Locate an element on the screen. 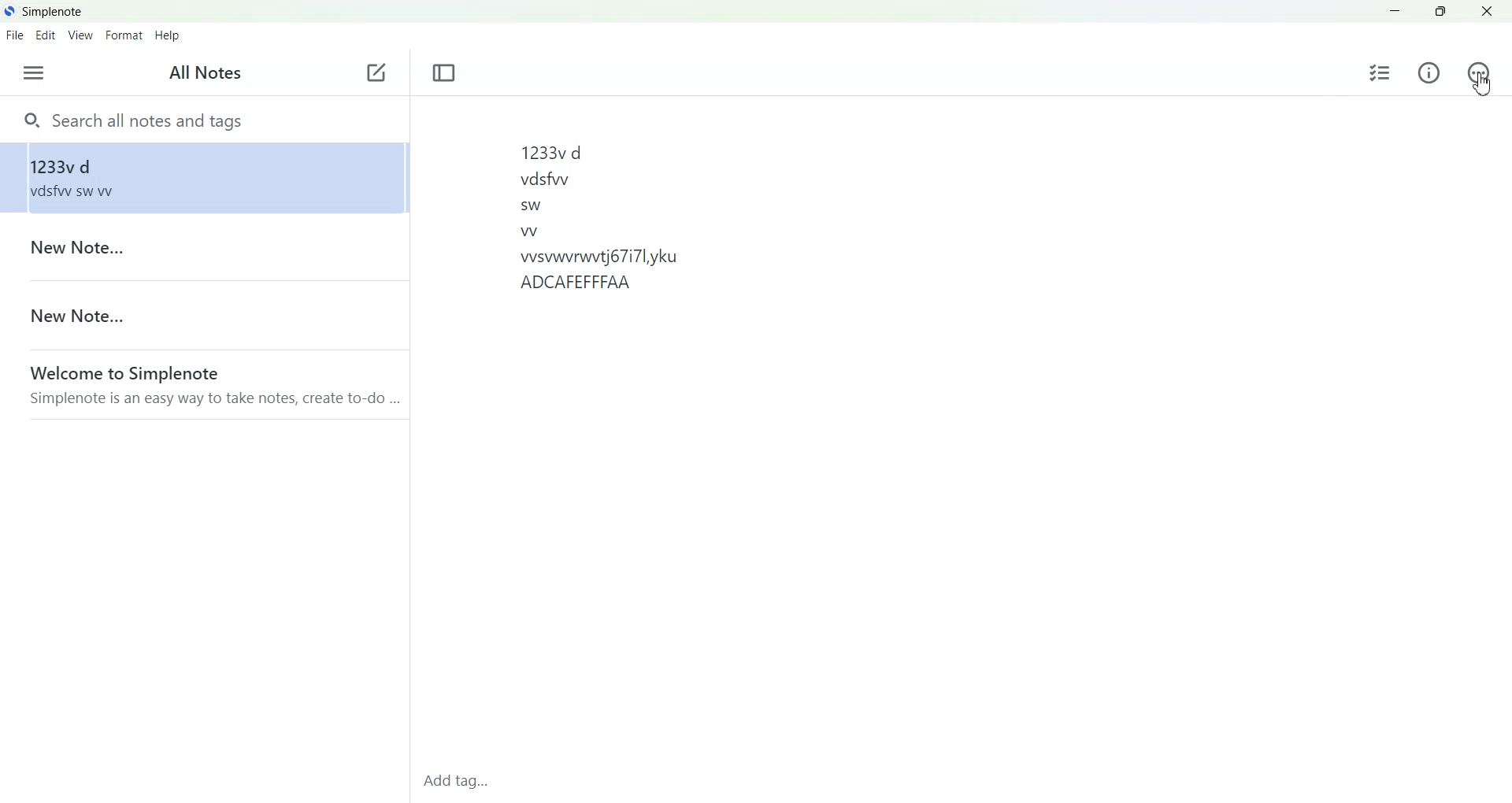 The width and height of the screenshot is (1512, 803). Toggle focus mode is located at coordinates (444, 73).